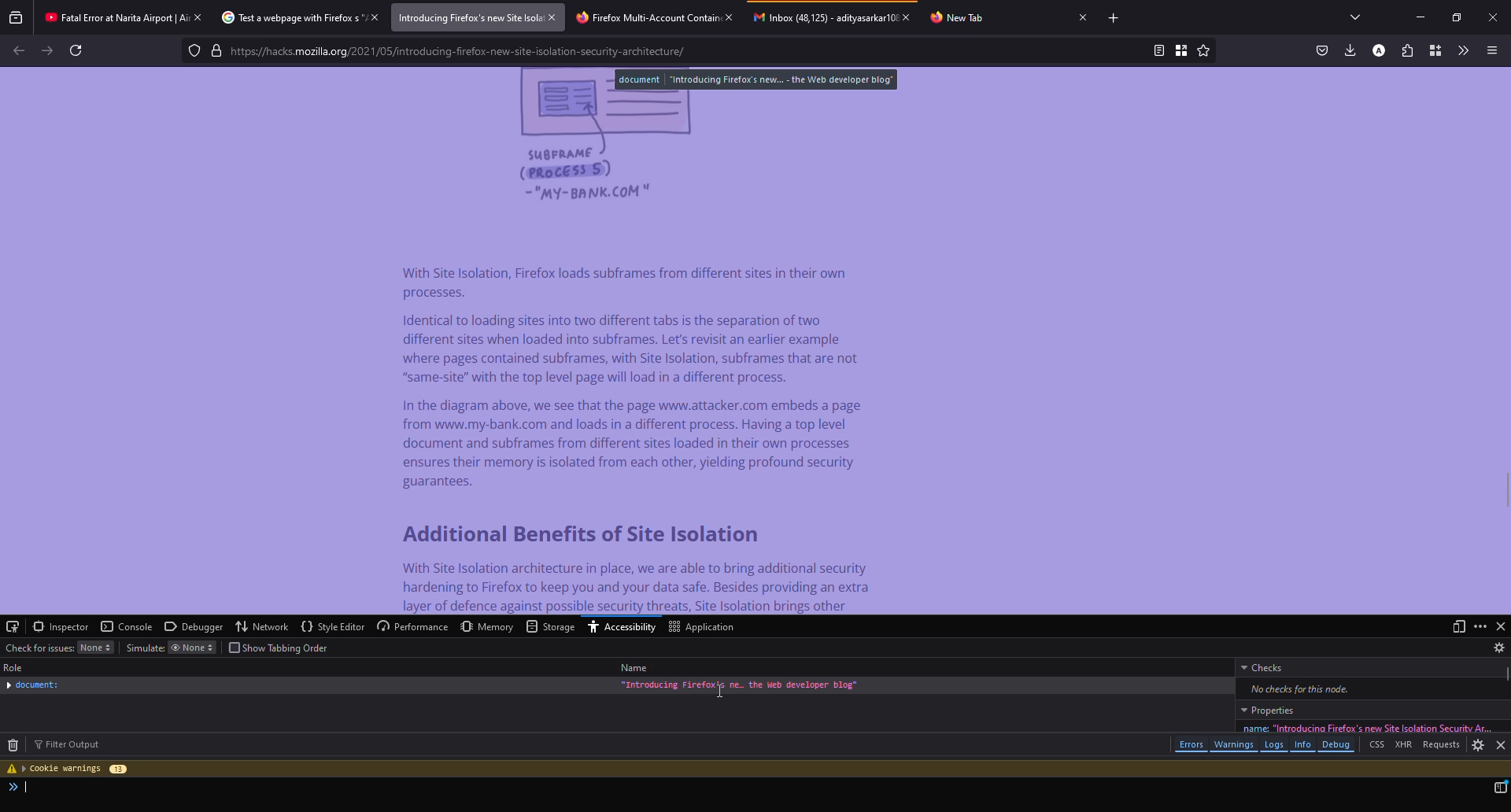 The height and width of the screenshot is (812, 1511). What do you see at coordinates (731, 17) in the screenshot?
I see `close` at bounding box center [731, 17].